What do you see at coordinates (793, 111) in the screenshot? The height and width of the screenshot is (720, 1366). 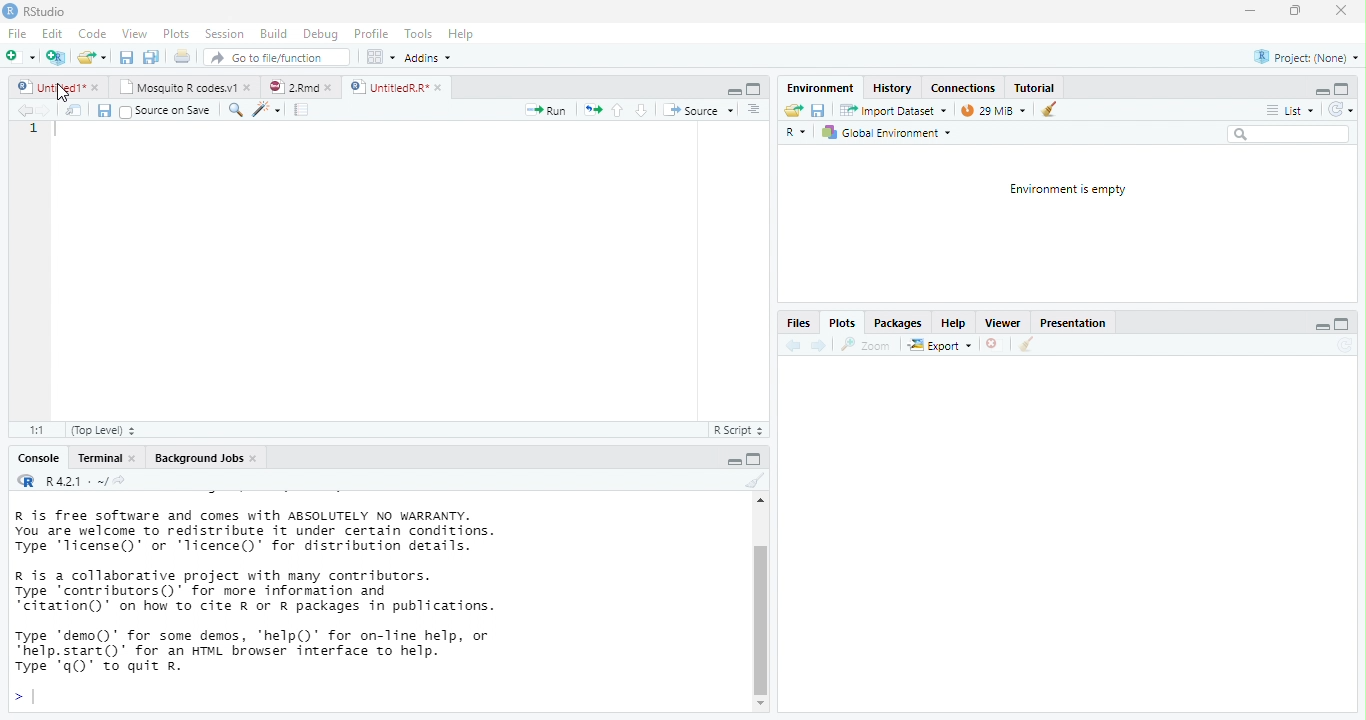 I see `Load workspace` at bounding box center [793, 111].